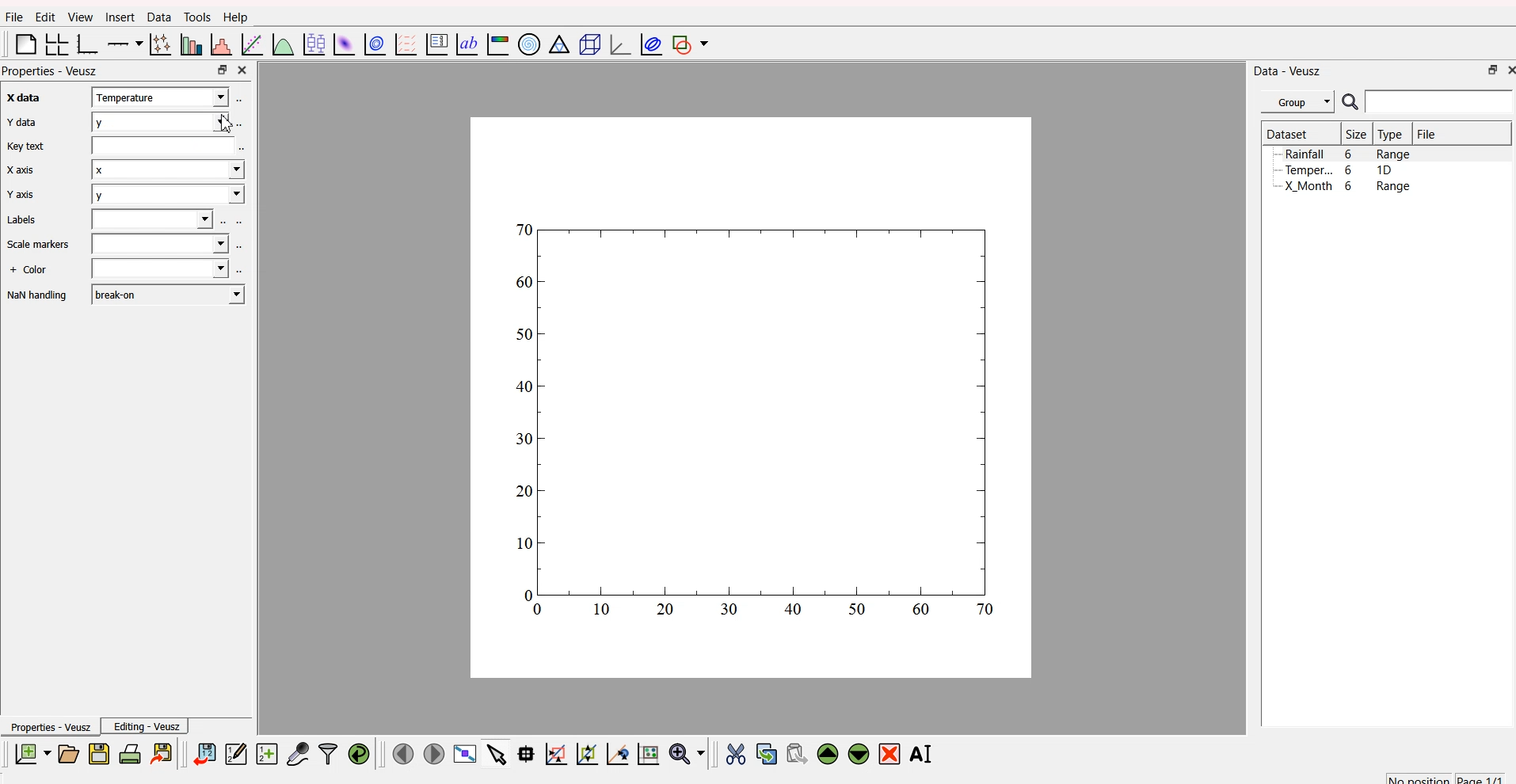 The image size is (1516, 784). Describe the element at coordinates (1391, 135) in the screenshot. I see `Type` at that location.